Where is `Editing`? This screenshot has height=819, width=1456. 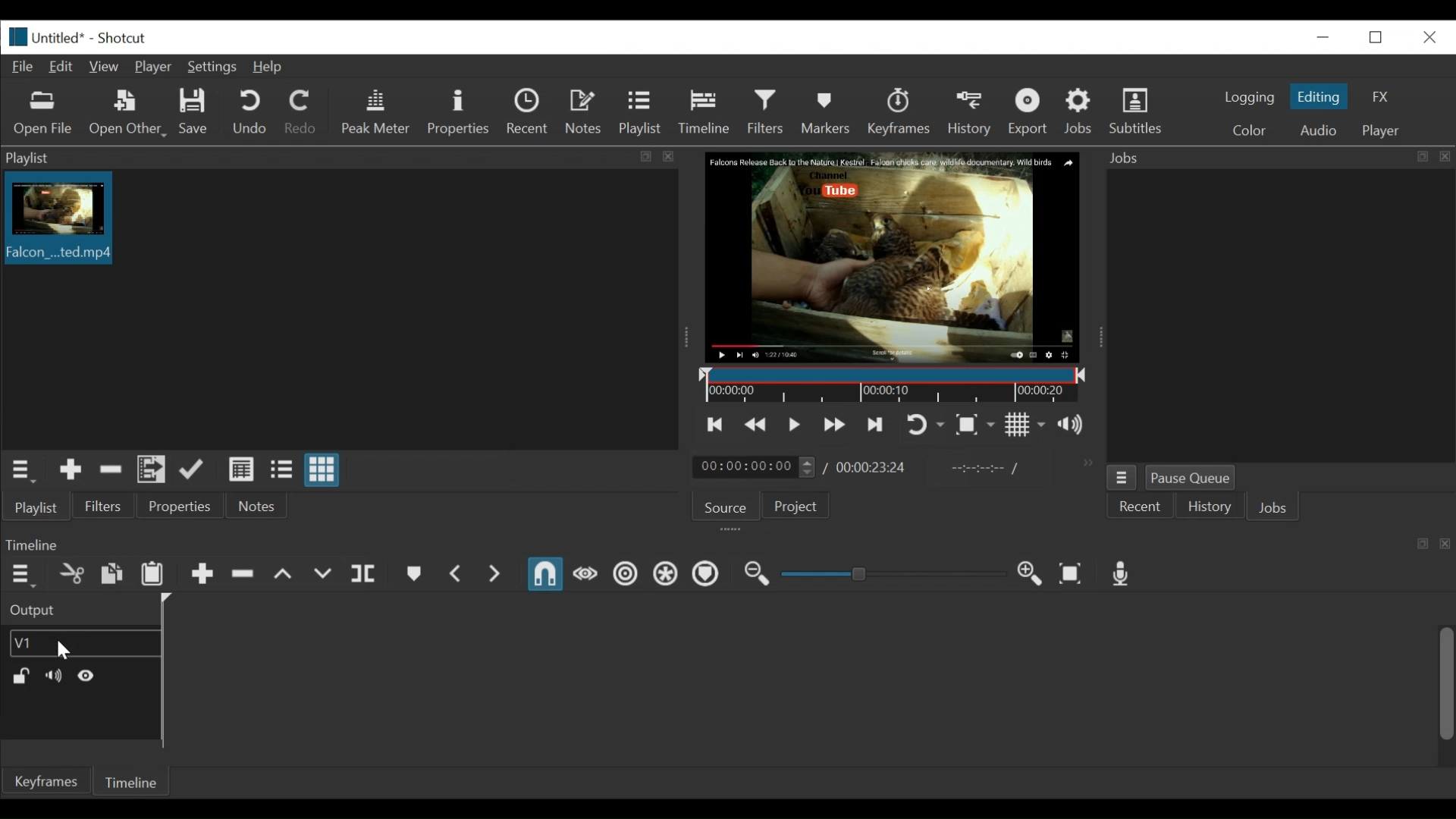 Editing is located at coordinates (1317, 96).